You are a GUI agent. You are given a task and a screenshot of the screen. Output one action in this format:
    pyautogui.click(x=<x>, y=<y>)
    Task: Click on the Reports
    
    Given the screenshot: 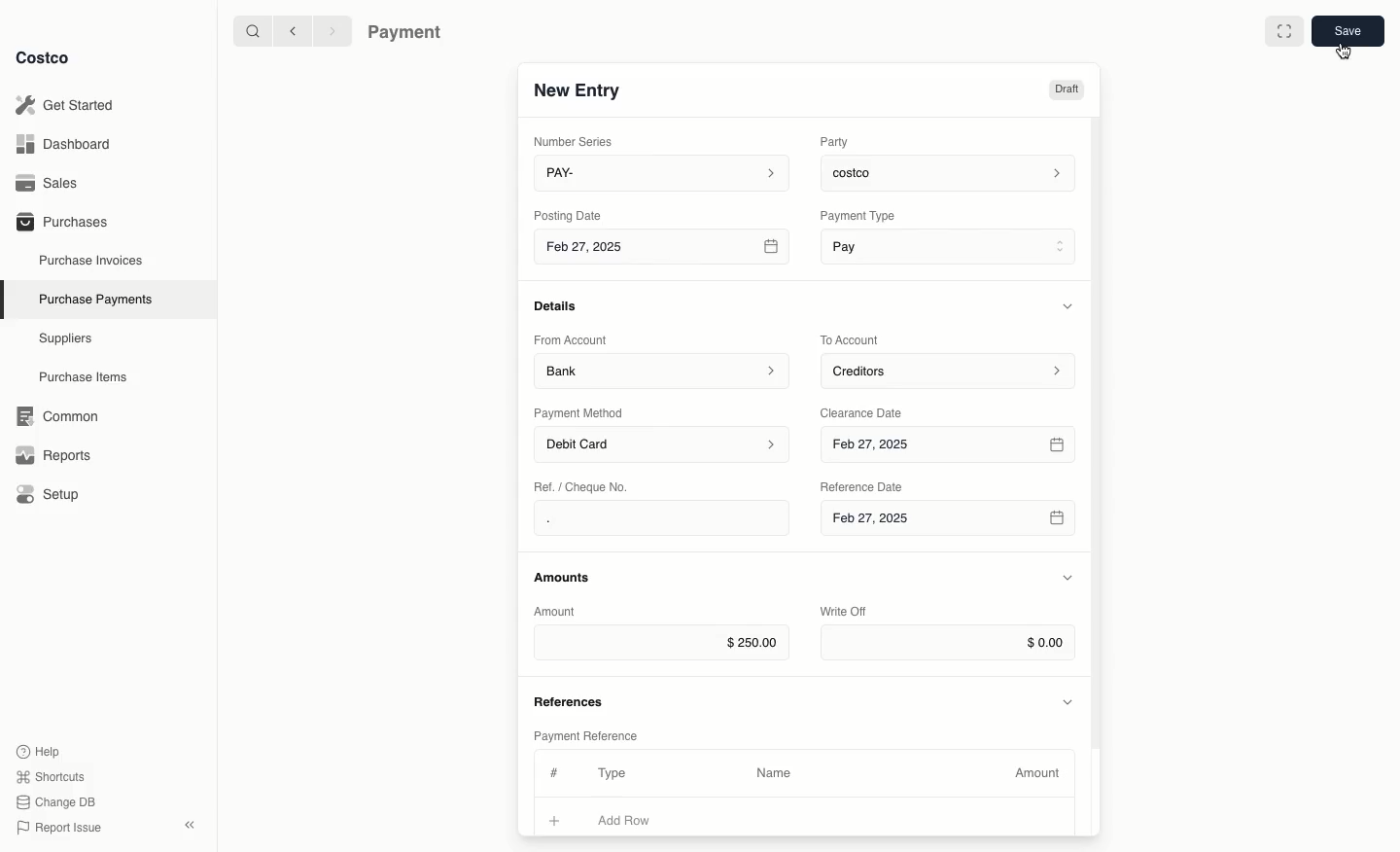 What is the action you would take?
    pyautogui.click(x=51, y=452)
    